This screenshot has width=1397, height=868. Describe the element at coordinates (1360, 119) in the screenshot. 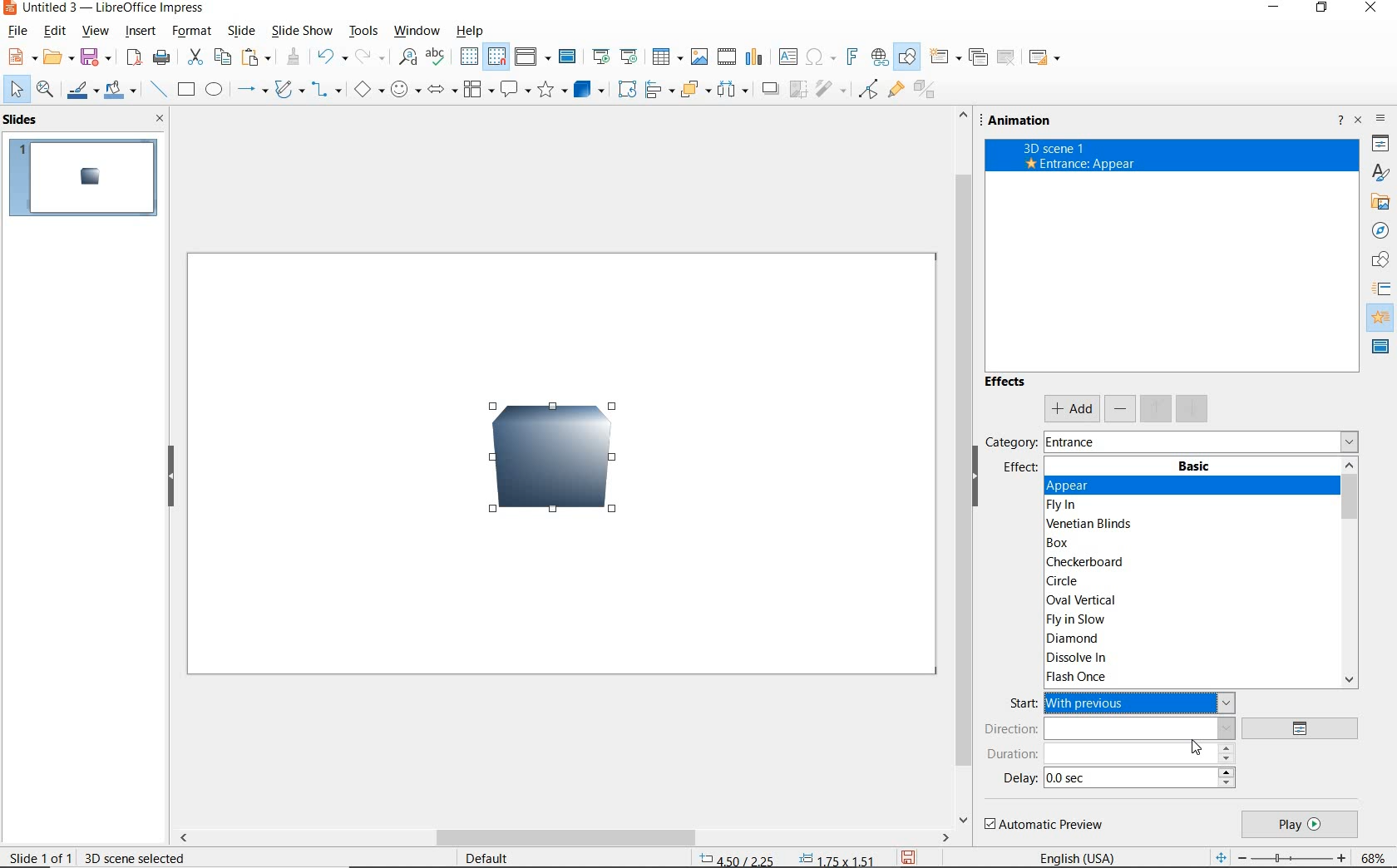

I see `close` at that location.